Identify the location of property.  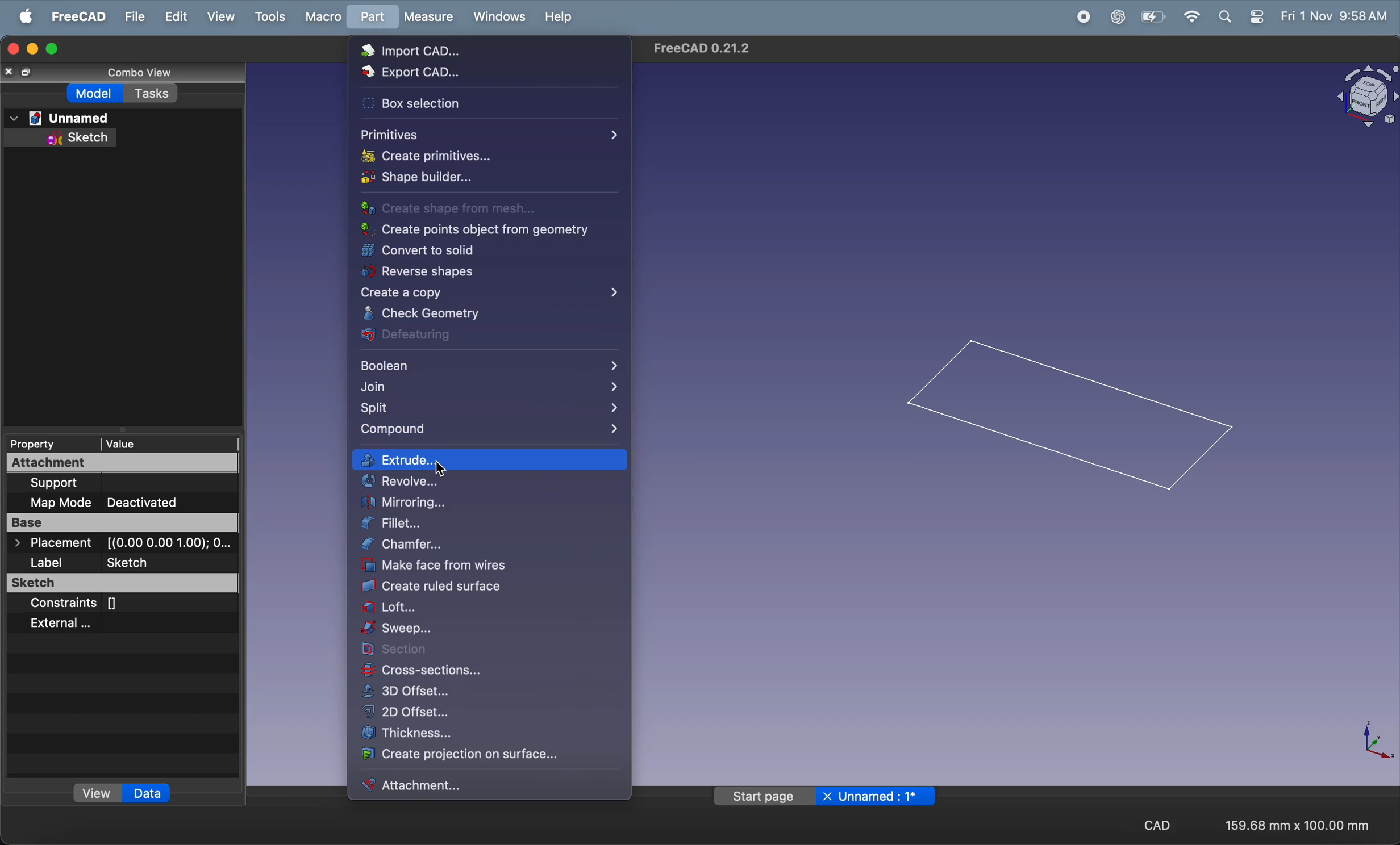
(46, 444).